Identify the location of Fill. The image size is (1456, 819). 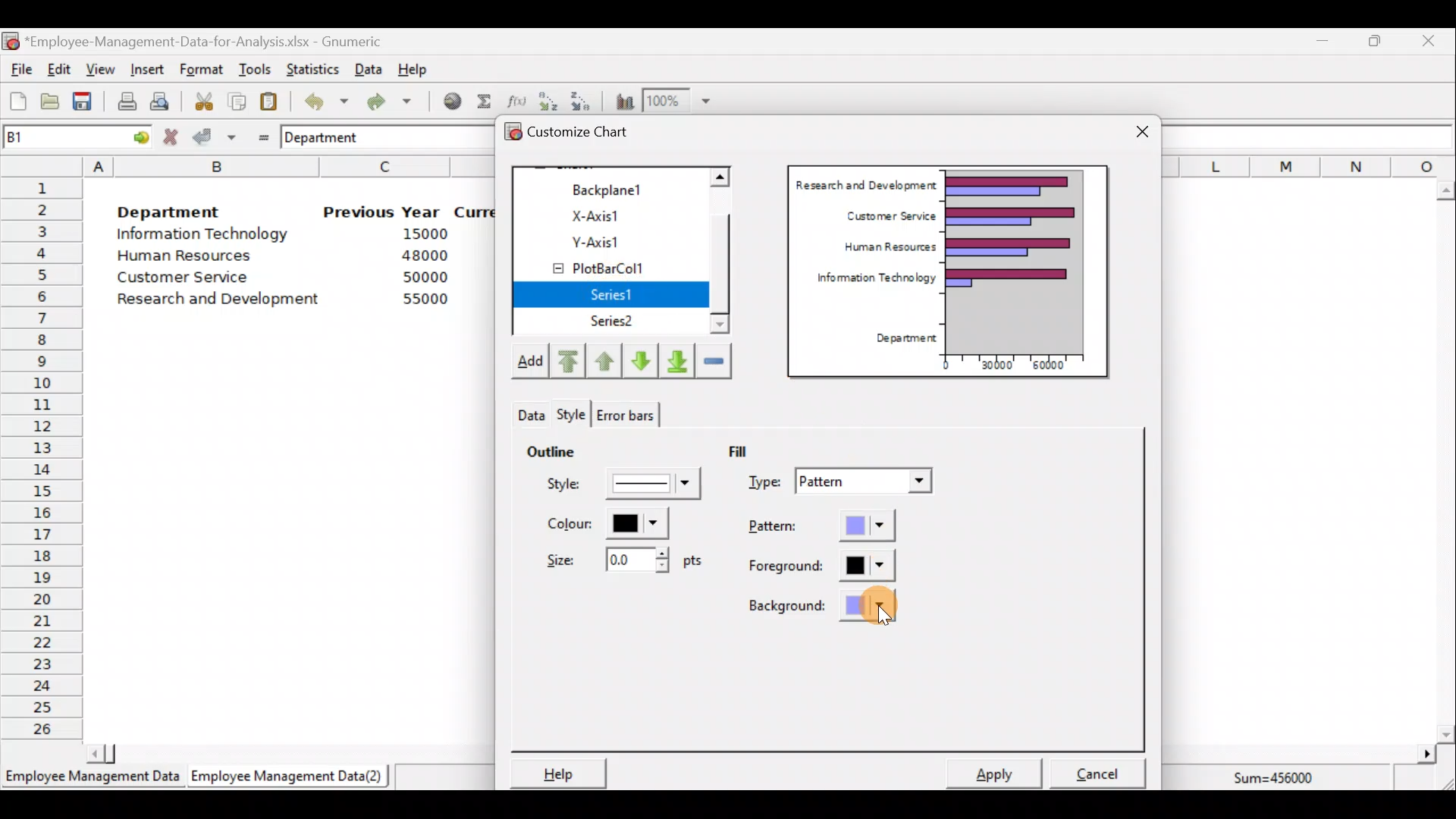
(749, 450).